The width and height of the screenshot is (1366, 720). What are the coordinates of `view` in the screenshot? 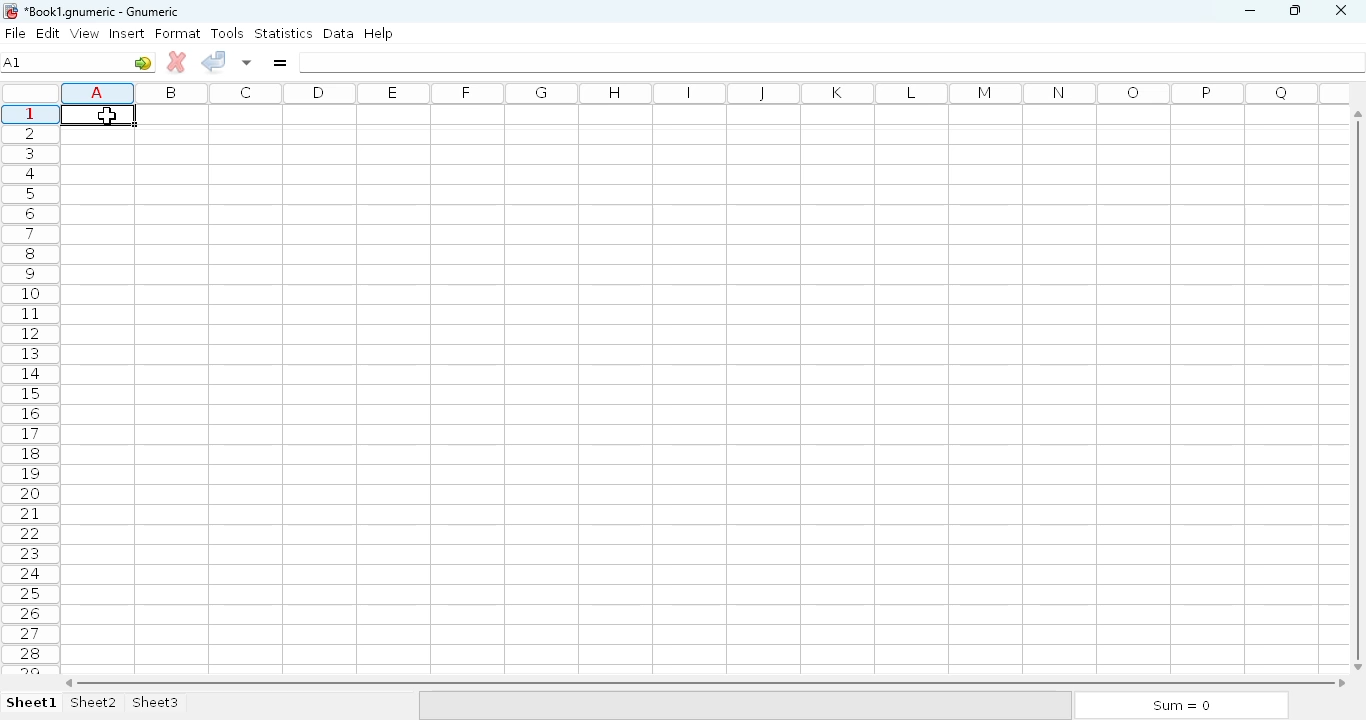 It's located at (85, 33).